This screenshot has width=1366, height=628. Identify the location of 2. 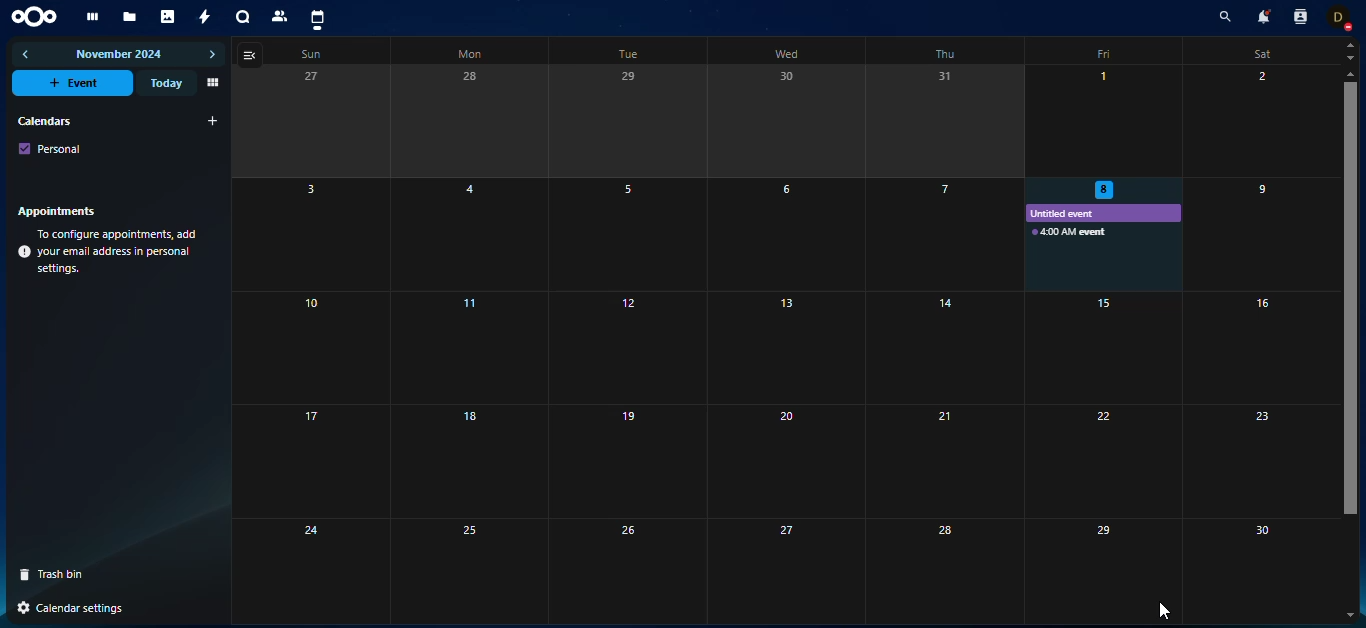
(1257, 122).